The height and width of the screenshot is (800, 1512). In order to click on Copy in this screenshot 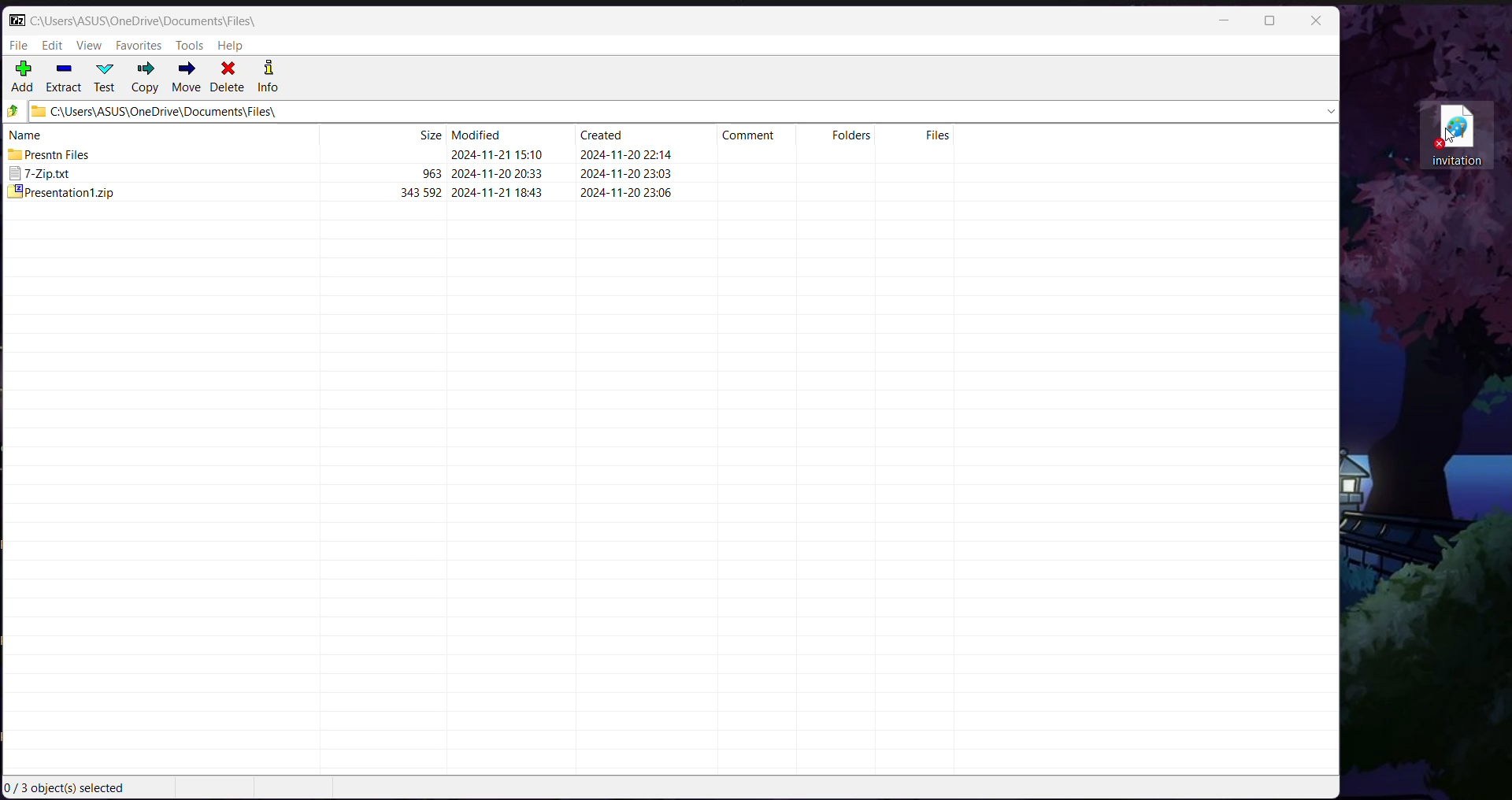, I will do `click(144, 78)`.